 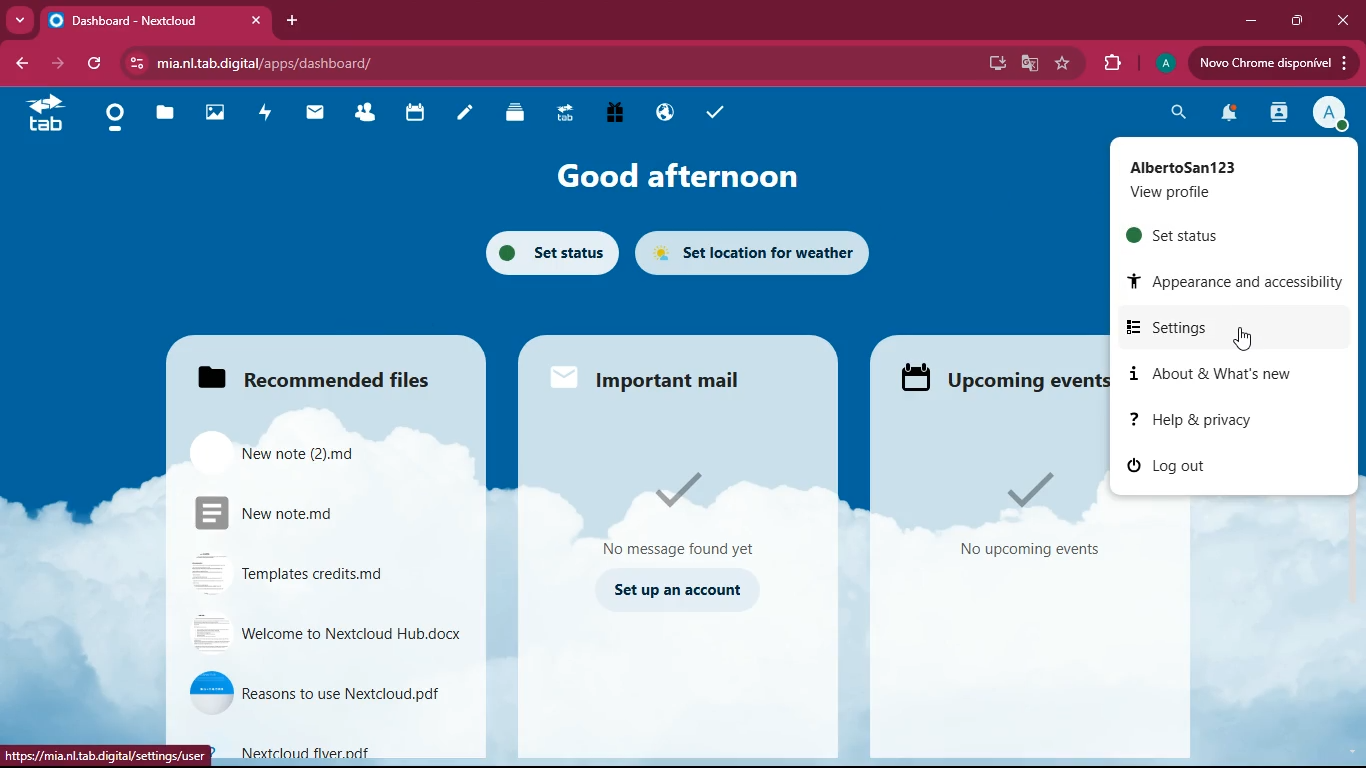 I want to click on upcoming events, so click(x=997, y=378).